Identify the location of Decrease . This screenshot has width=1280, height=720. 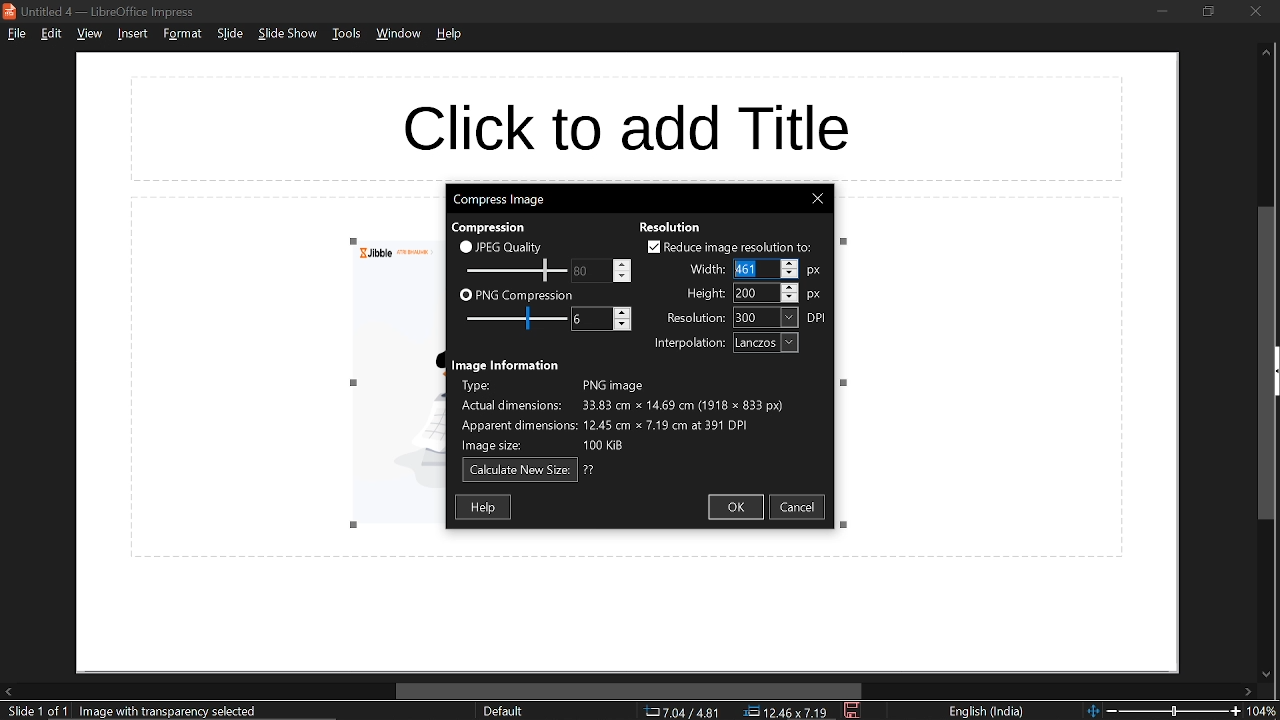
(790, 275).